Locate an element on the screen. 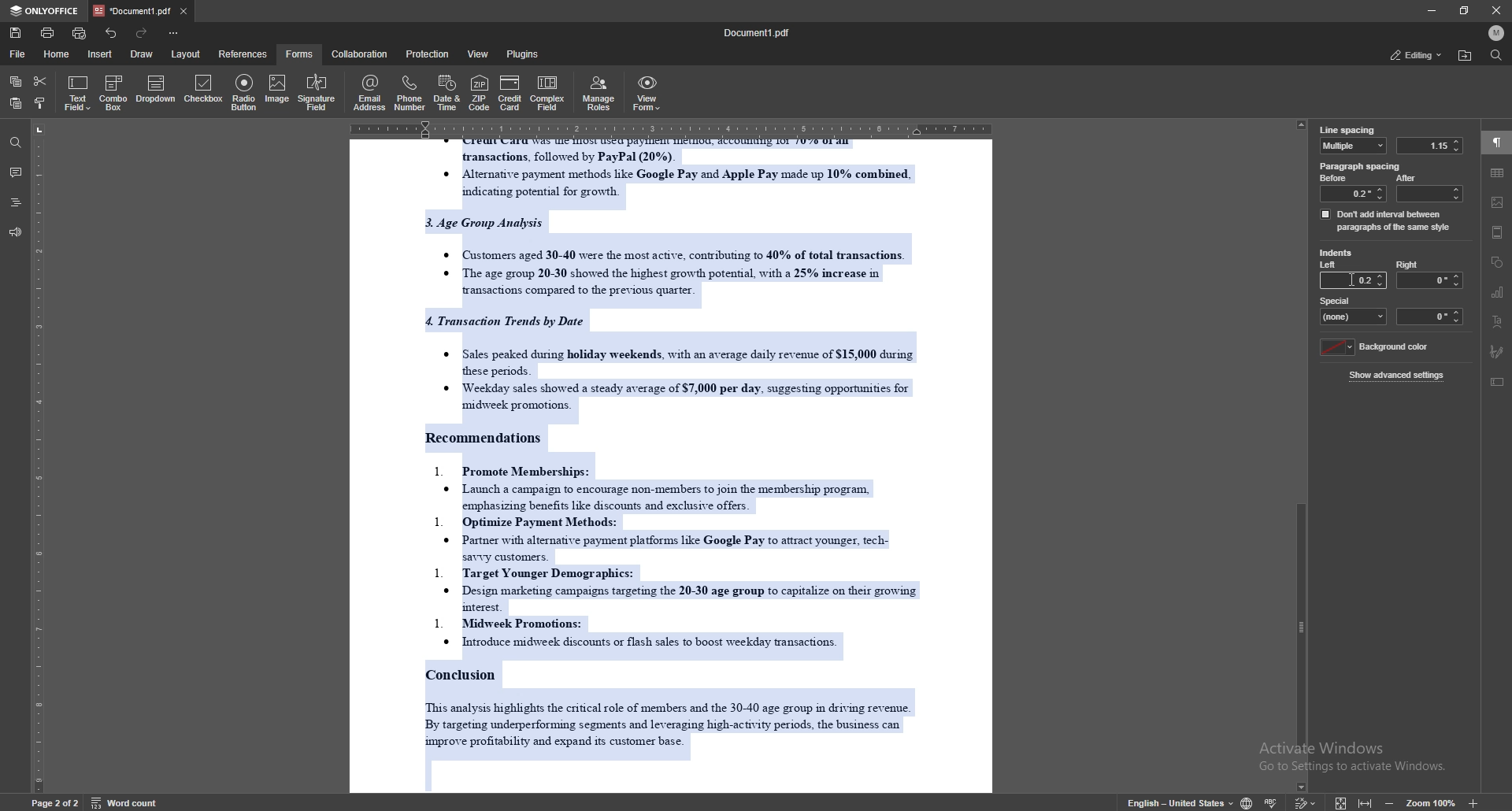 This screenshot has height=811, width=1512. cut is located at coordinates (40, 81).